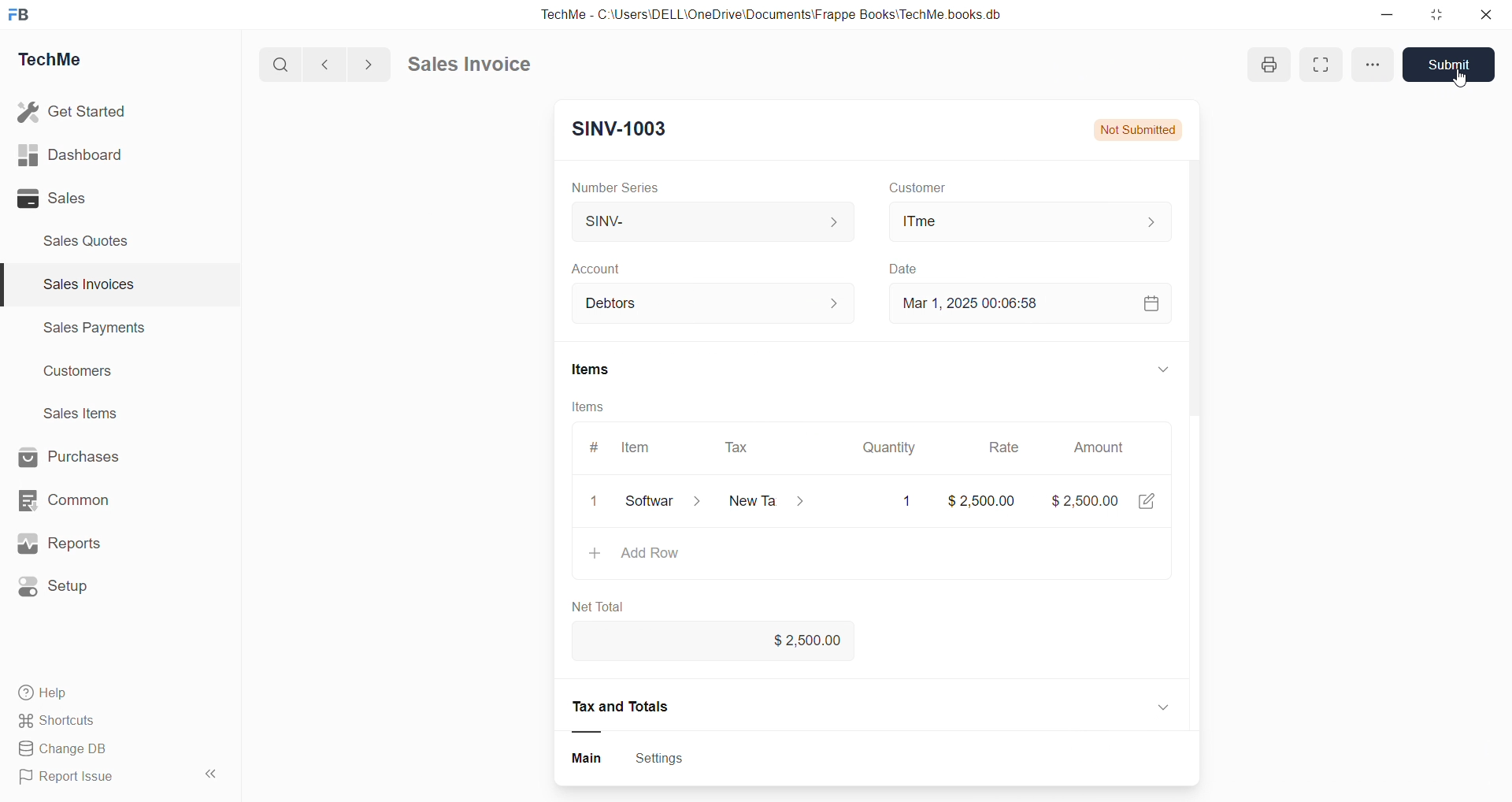 The width and height of the screenshot is (1512, 802). Describe the element at coordinates (476, 66) in the screenshot. I see `Sales Invoice` at that location.